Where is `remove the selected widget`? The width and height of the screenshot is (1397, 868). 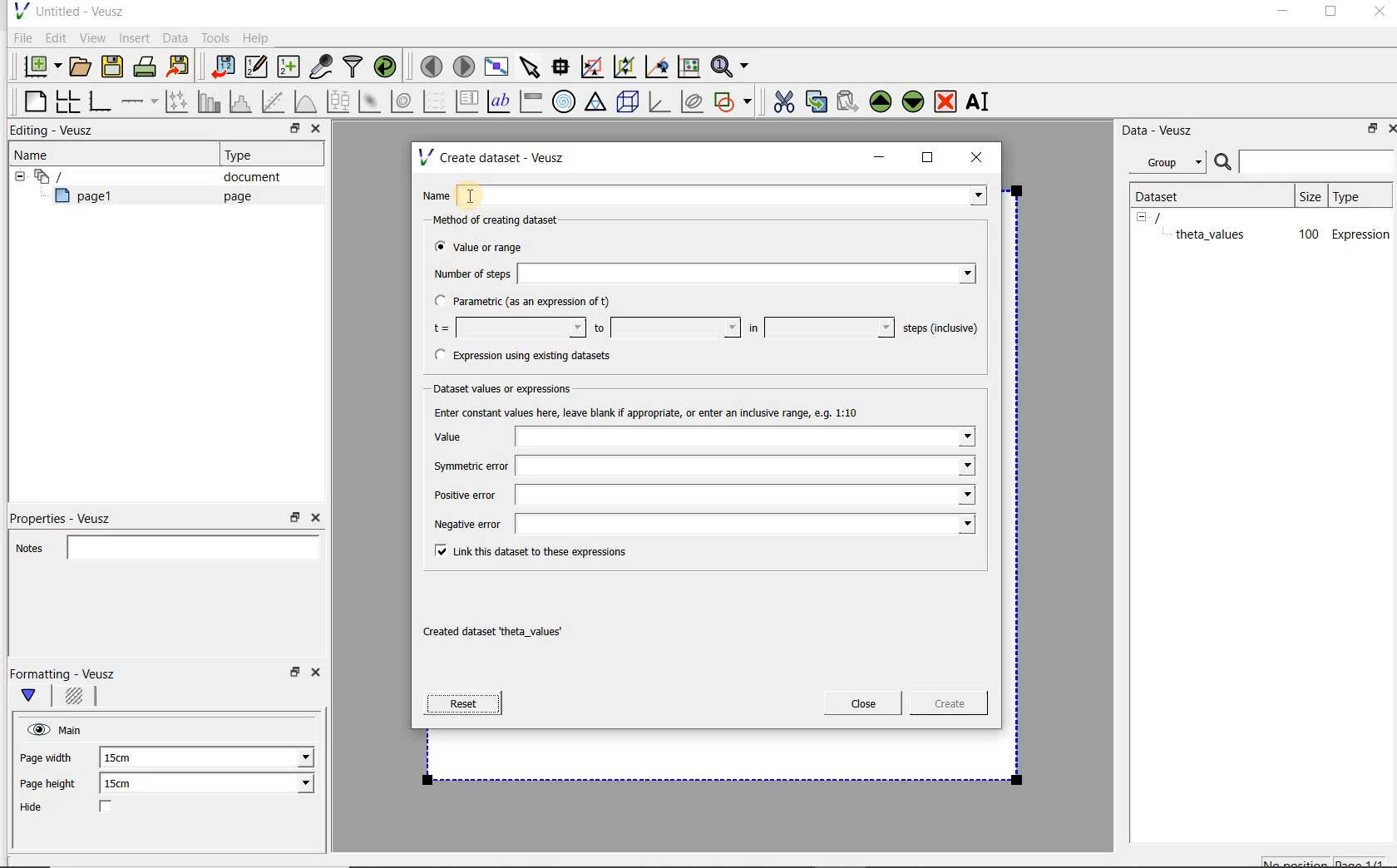
remove the selected widget is located at coordinates (946, 101).